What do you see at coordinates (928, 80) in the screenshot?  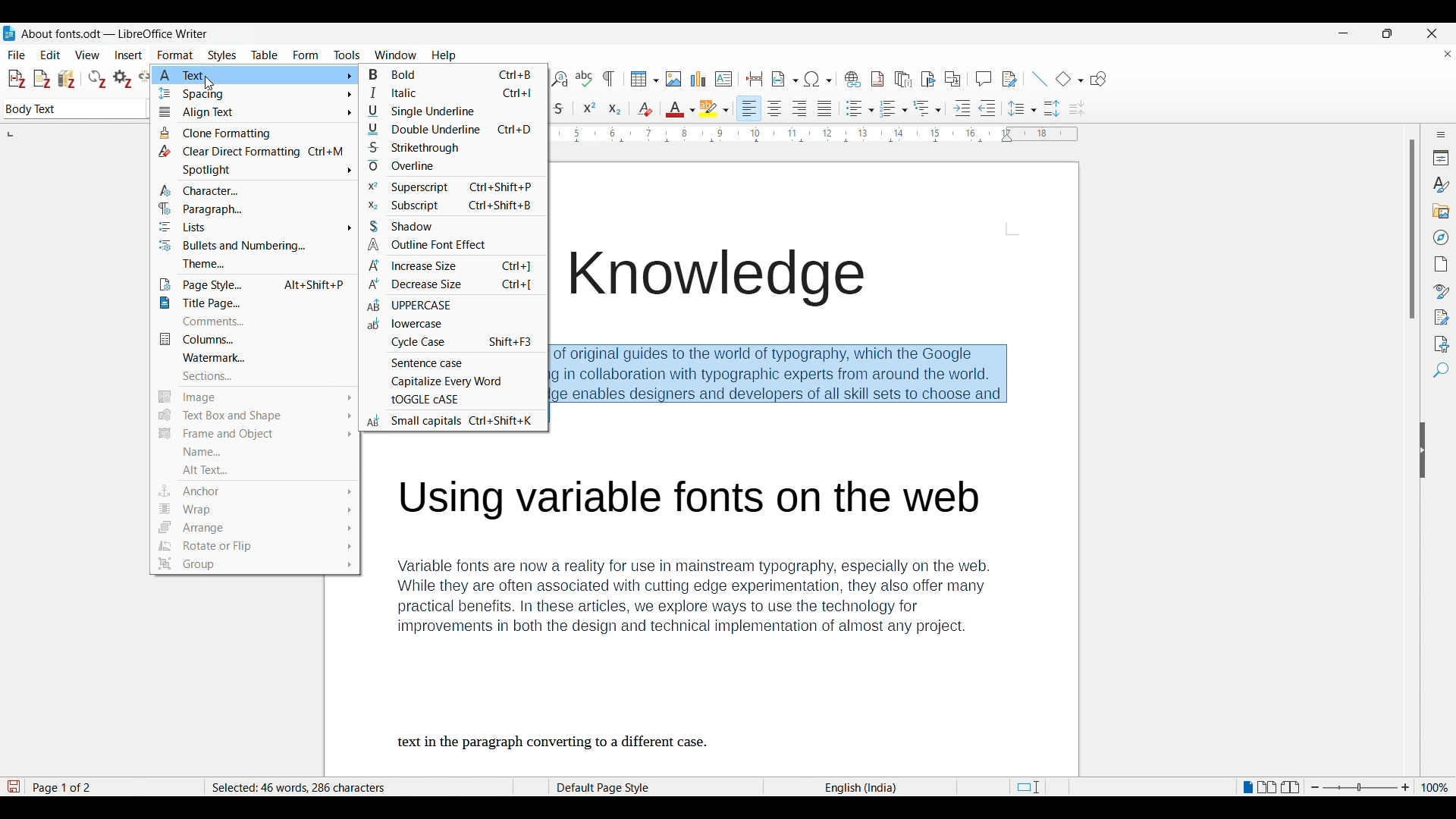 I see `Insert bookmark` at bounding box center [928, 80].